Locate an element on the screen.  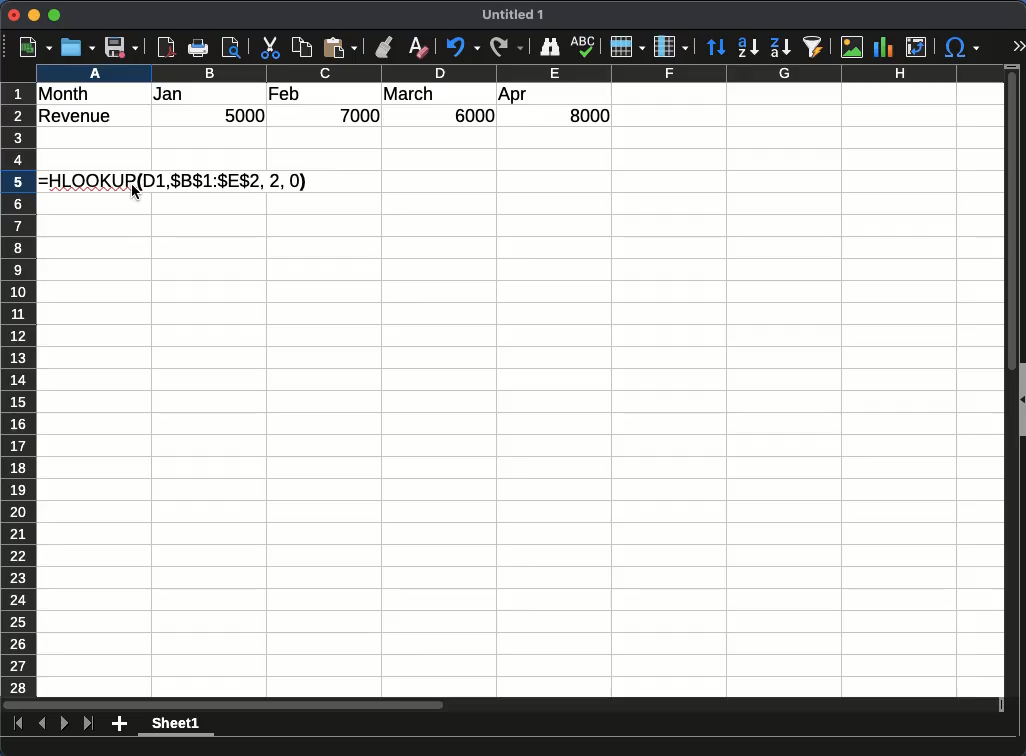
expand is located at coordinates (1019, 45).